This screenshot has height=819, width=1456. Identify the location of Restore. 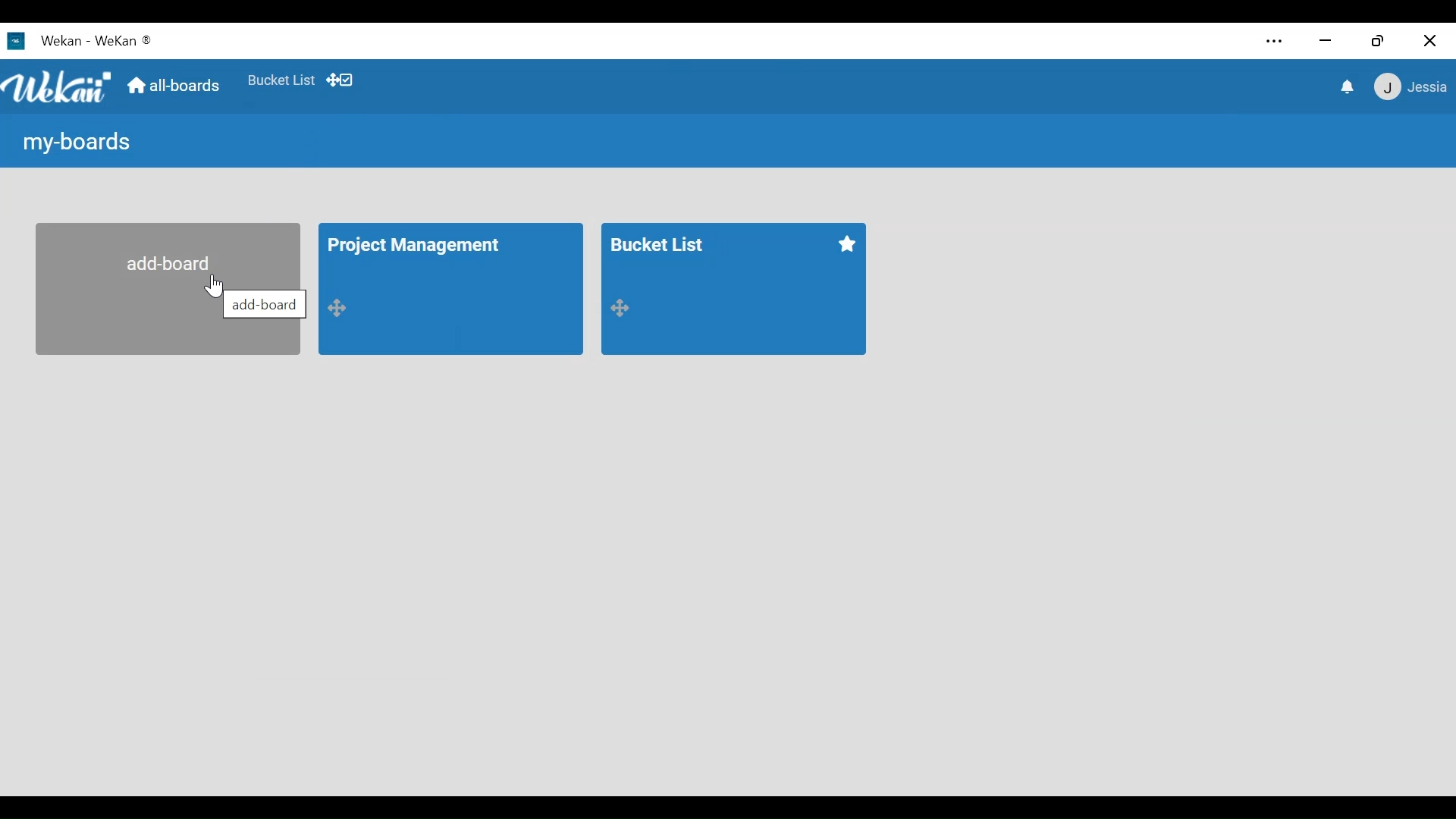
(1378, 40).